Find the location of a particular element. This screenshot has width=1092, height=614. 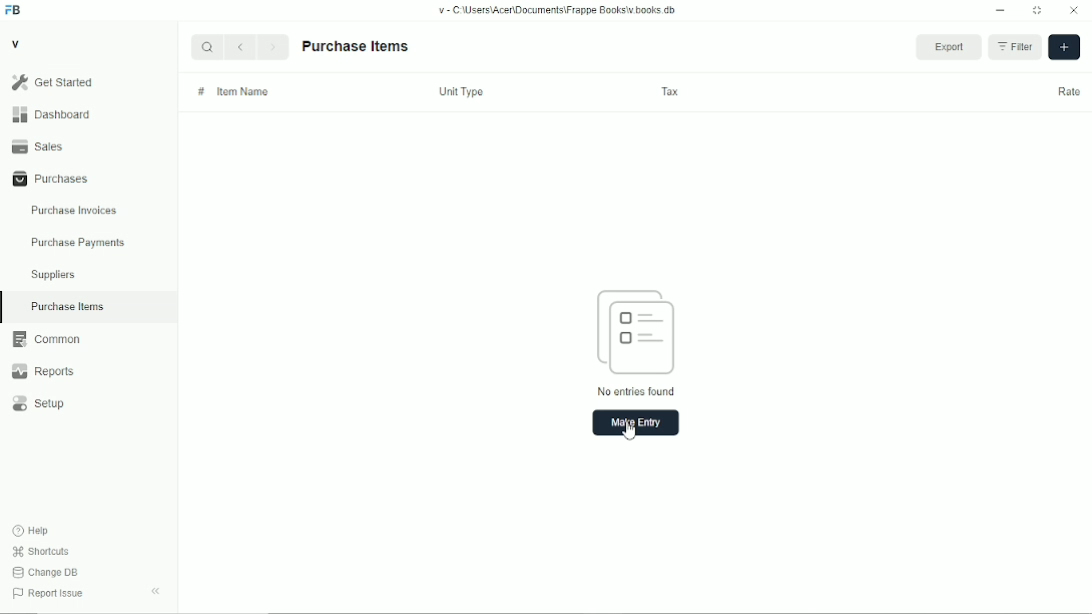

# is located at coordinates (201, 92).